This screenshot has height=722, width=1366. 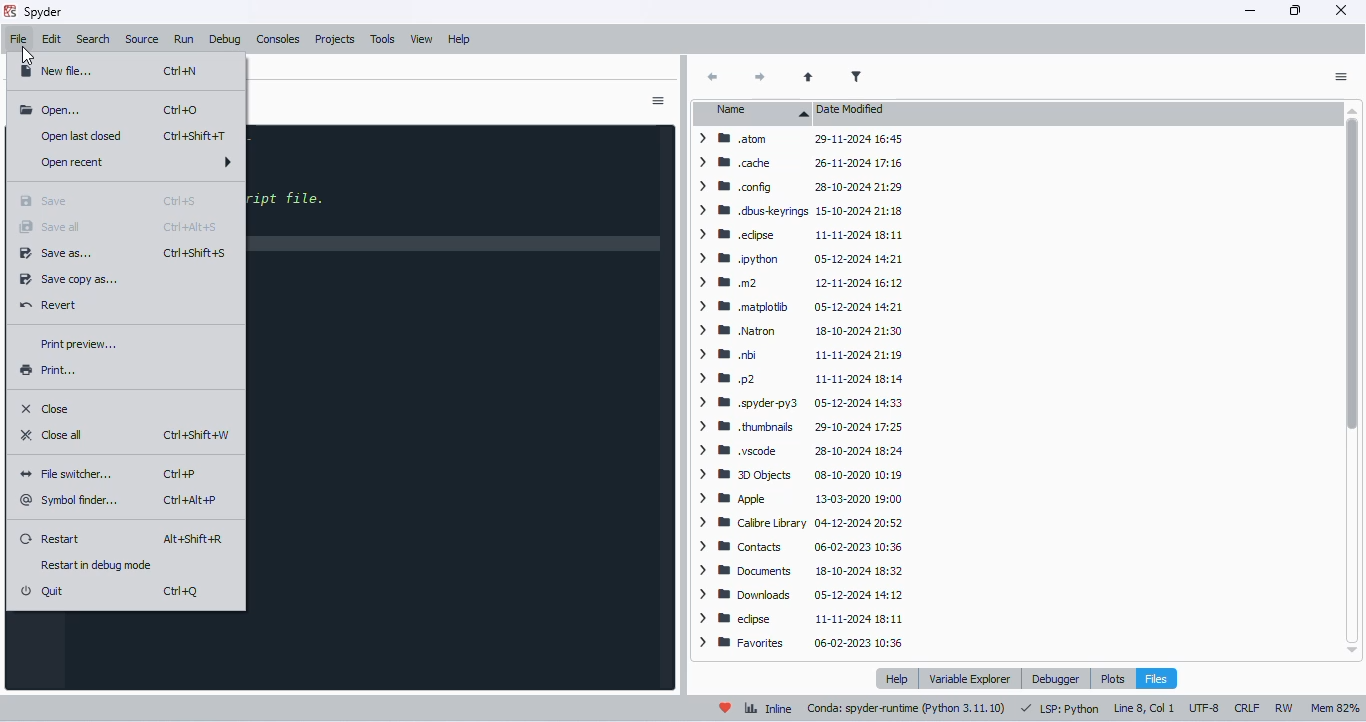 What do you see at coordinates (1157, 679) in the screenshot?
I see `files` at bounding box center [1157, 679].